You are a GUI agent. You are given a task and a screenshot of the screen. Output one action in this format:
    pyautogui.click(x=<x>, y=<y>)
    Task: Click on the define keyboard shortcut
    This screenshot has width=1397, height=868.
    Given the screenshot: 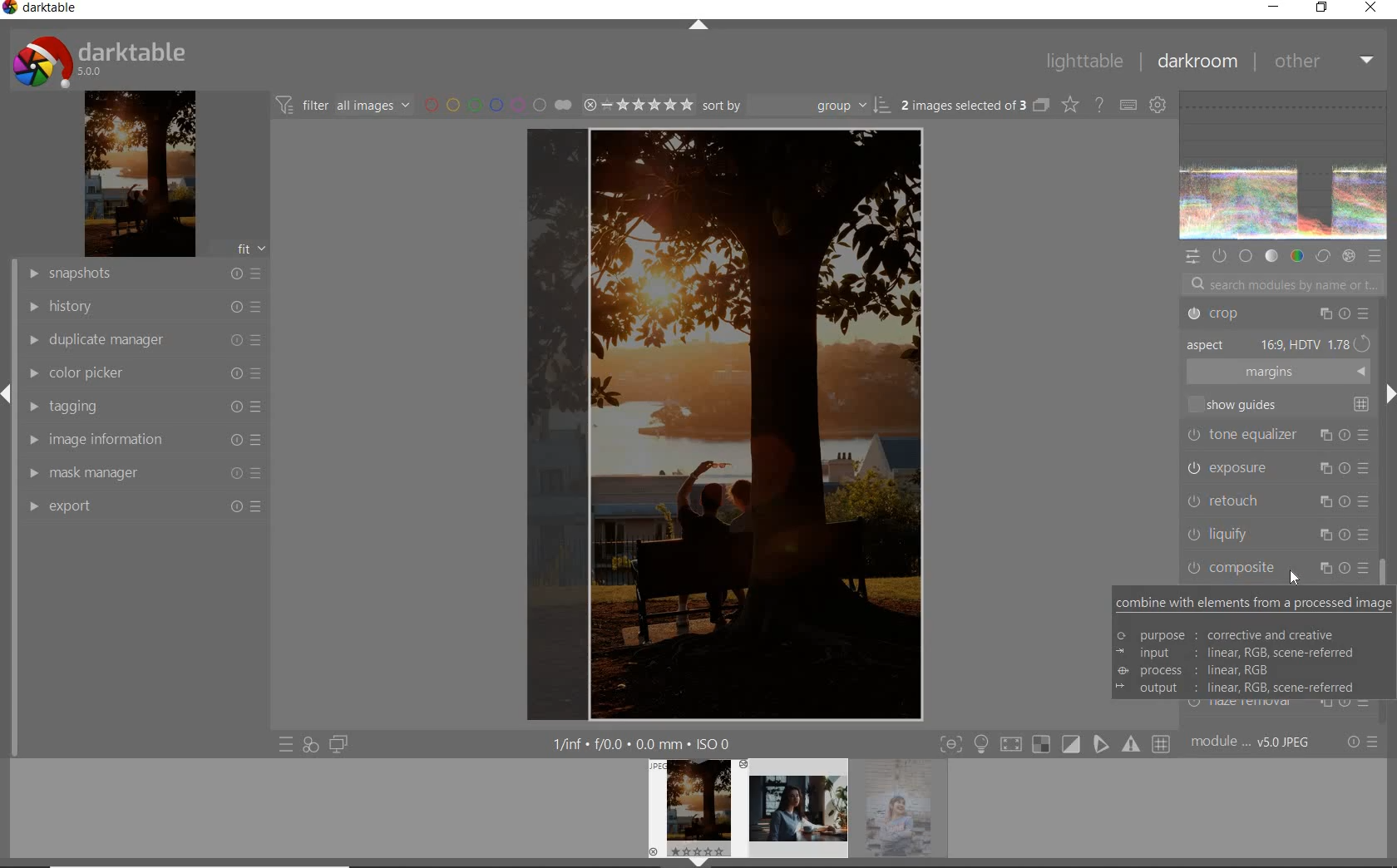 What is the action you would take?
    pyautogui.click(x=1128, y=104)
    